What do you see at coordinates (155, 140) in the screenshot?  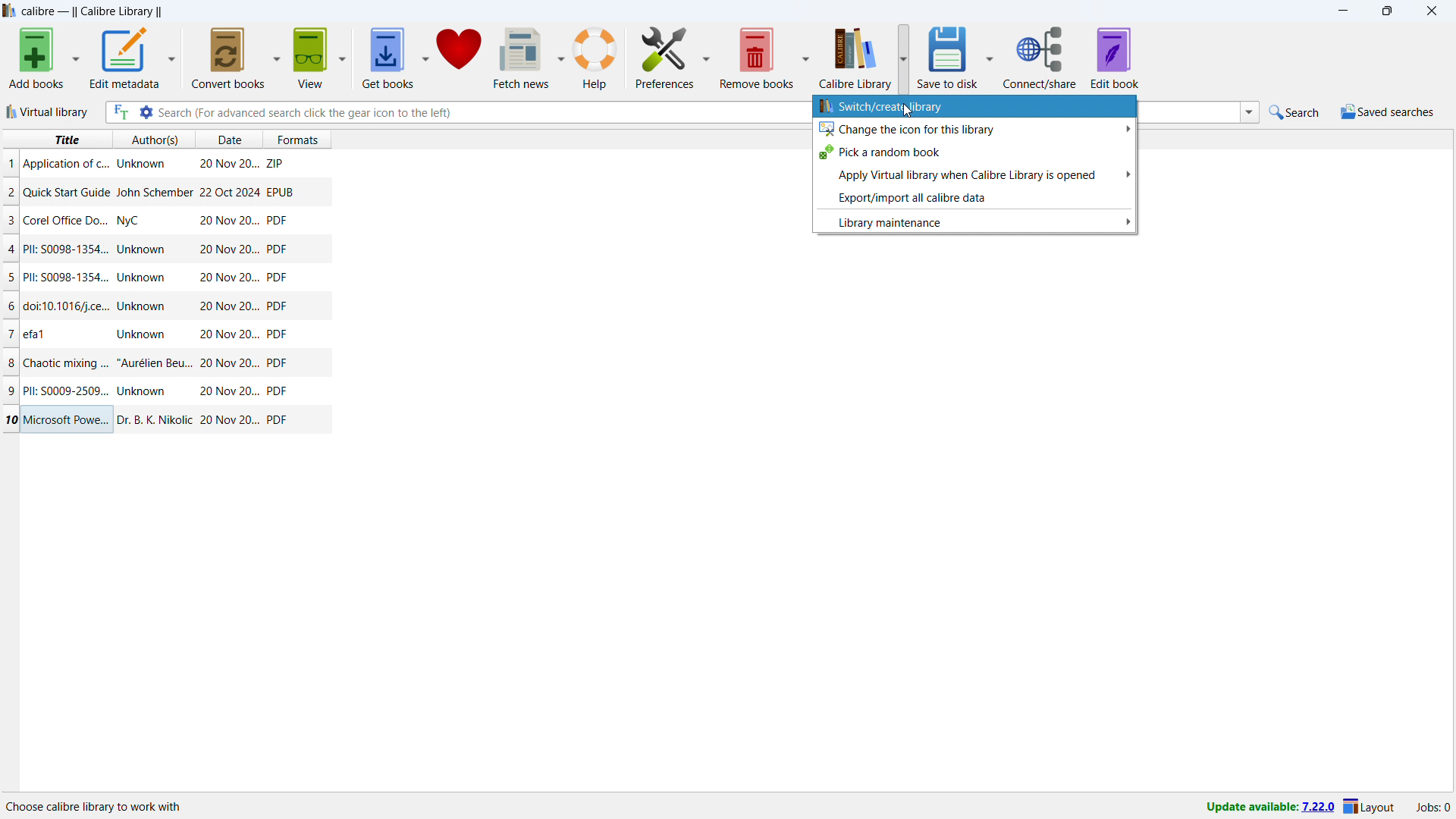 I see `authors` at bounding box center [155, 140].